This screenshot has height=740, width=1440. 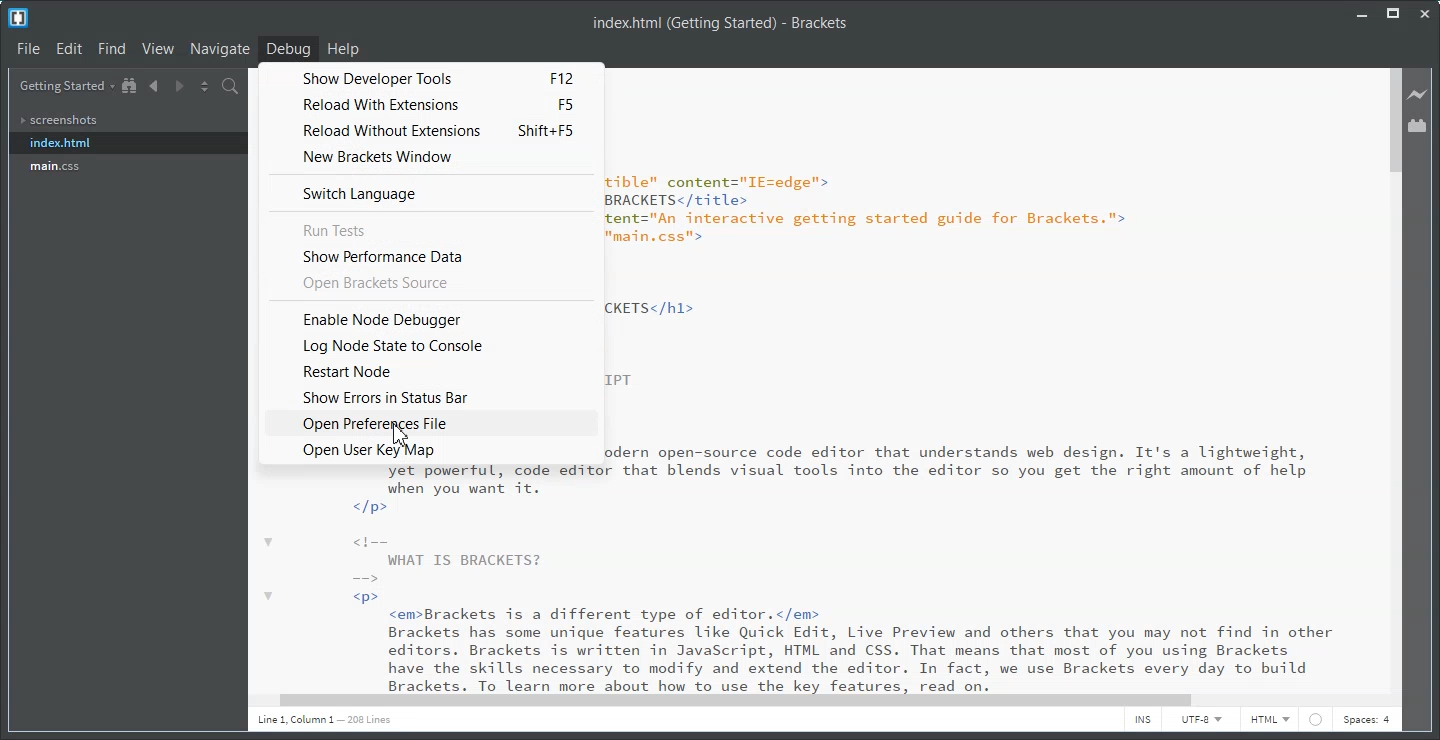 What do you see at coordinates (157, 49) in the screenshot?
I see `View` at bounding box center [157, 49].